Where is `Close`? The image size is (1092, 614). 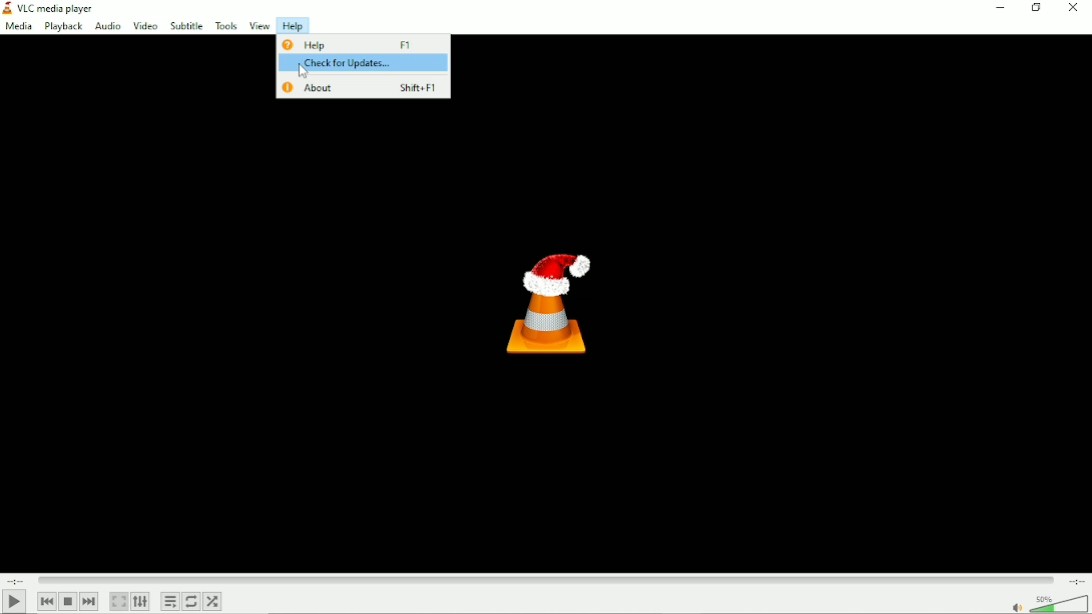
Close is located at coordinates (1073, 9).